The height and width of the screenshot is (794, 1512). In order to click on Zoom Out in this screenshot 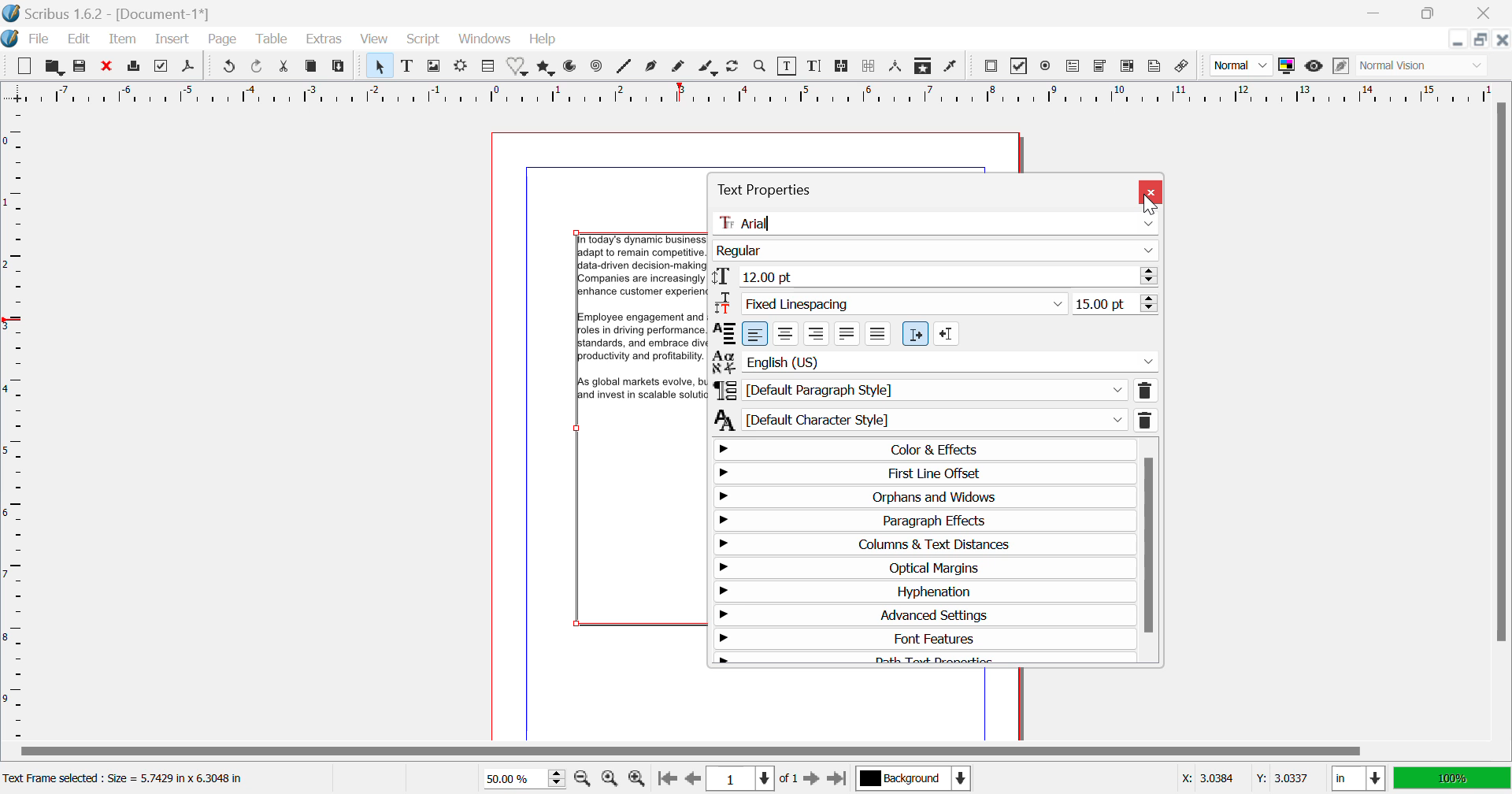, I will do `click(583, 777)`.